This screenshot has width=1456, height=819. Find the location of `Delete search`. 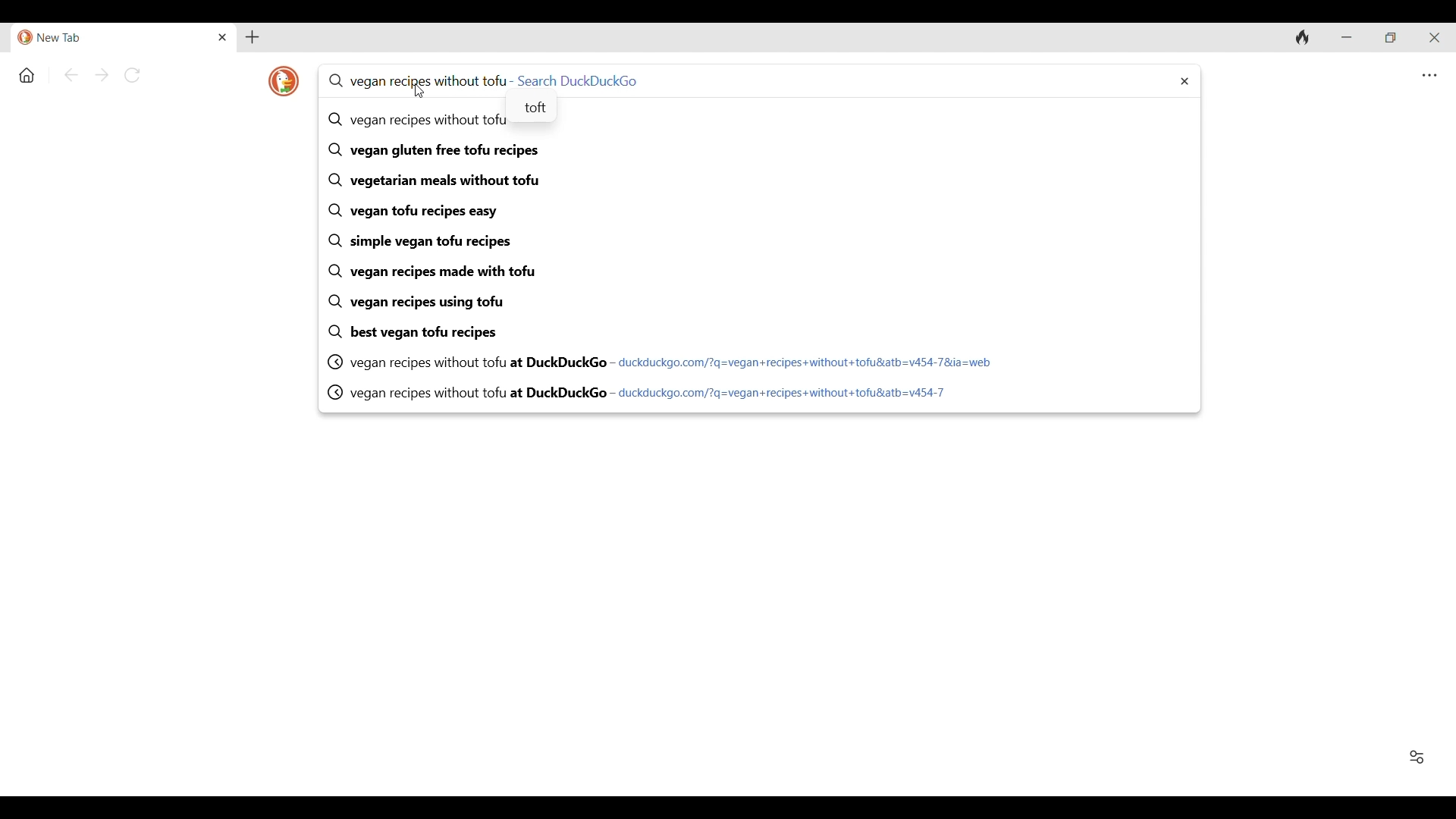

Delete search is located at coordinates (1185, 81).